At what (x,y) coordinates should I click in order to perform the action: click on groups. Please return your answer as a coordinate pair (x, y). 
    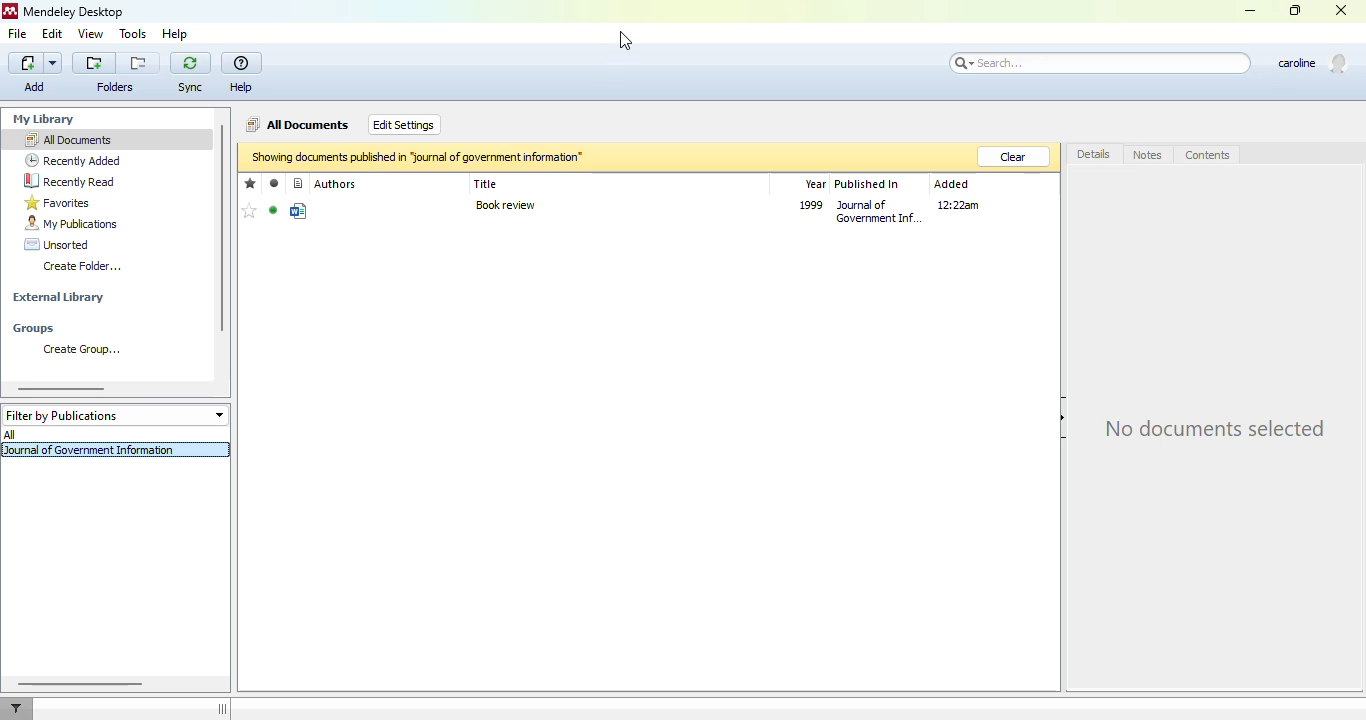
    Looking at the image, I should click on (33, 329).